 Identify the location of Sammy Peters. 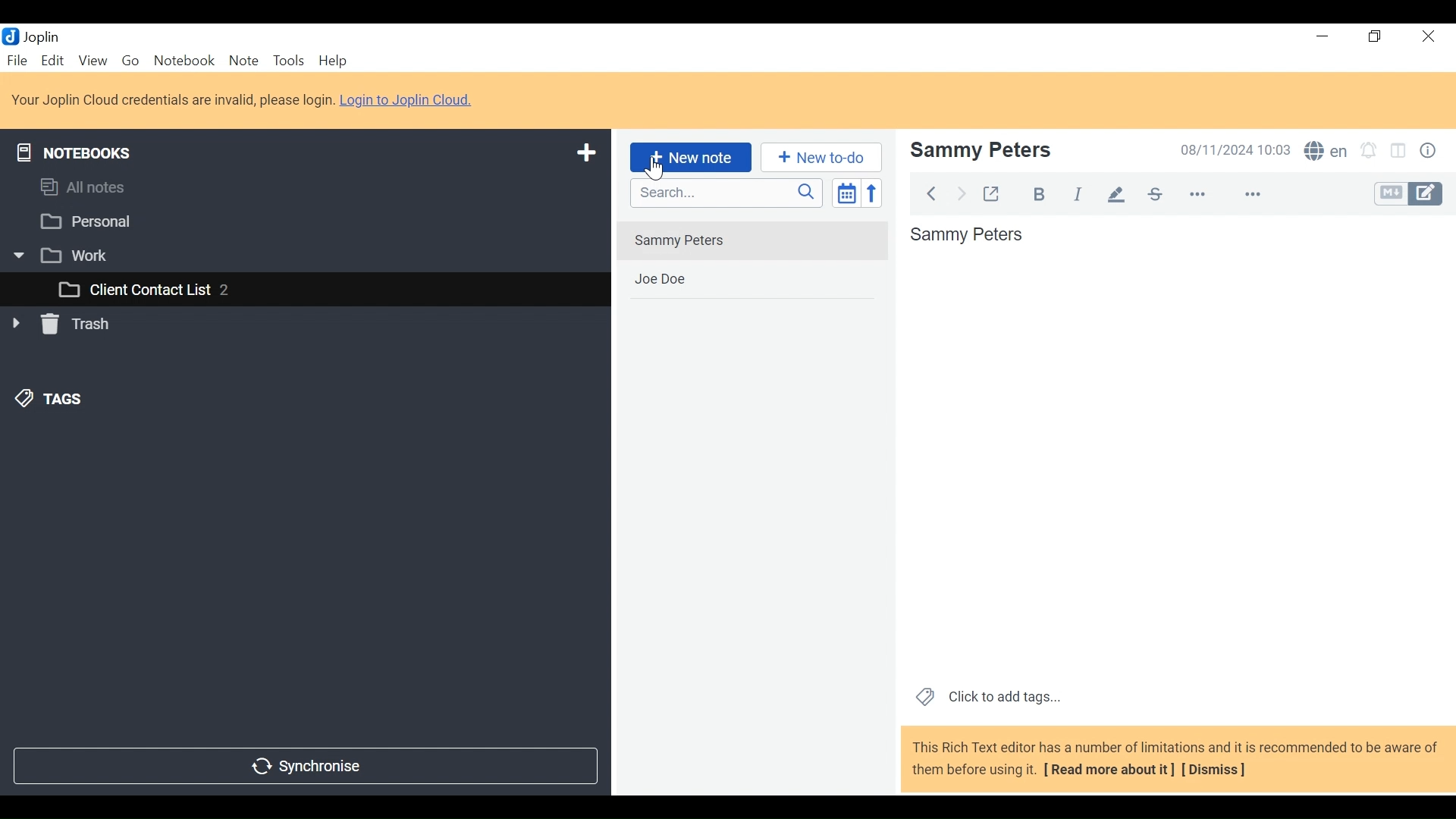
(1022, 150).